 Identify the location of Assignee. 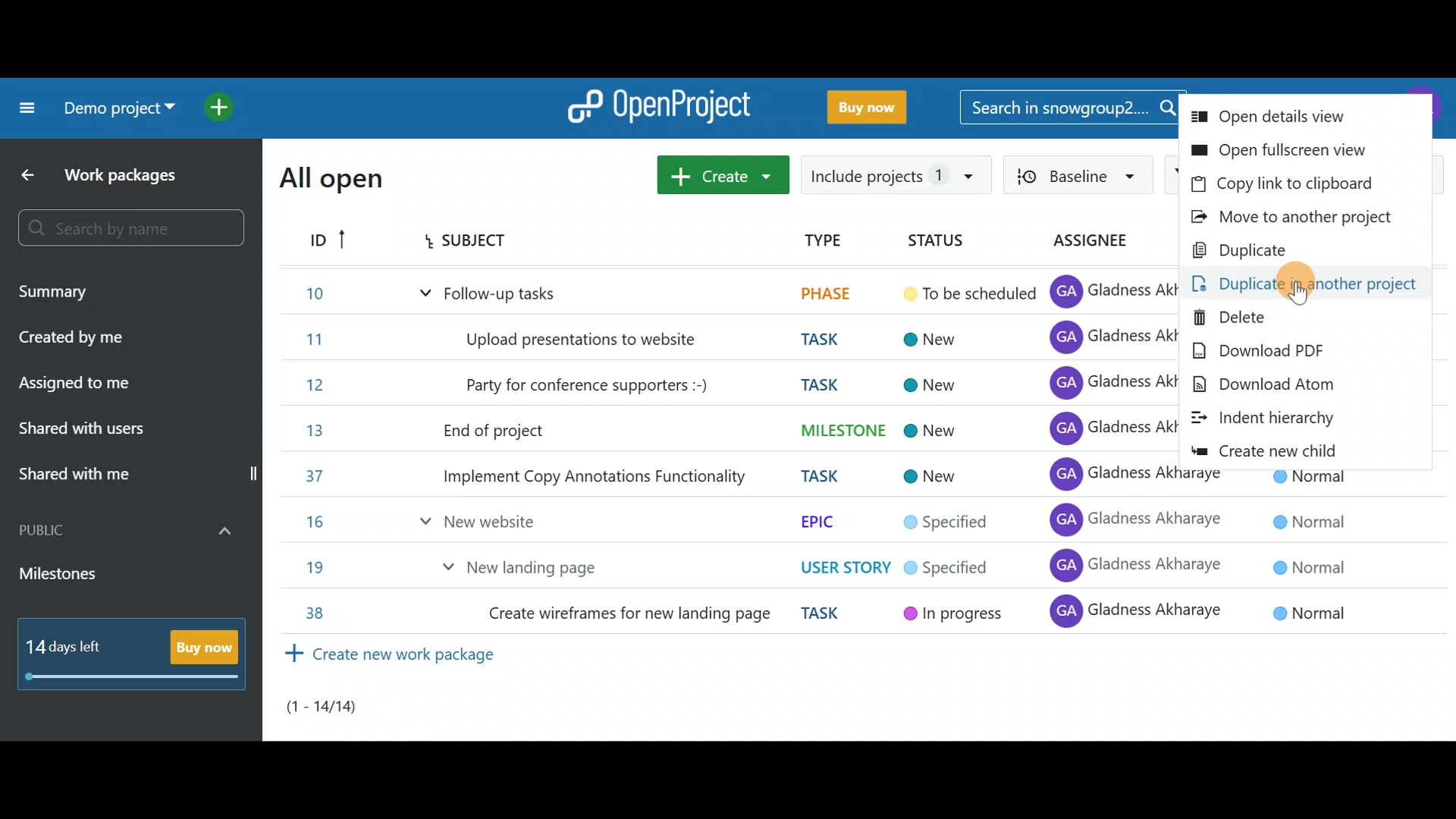
(1081, 246).